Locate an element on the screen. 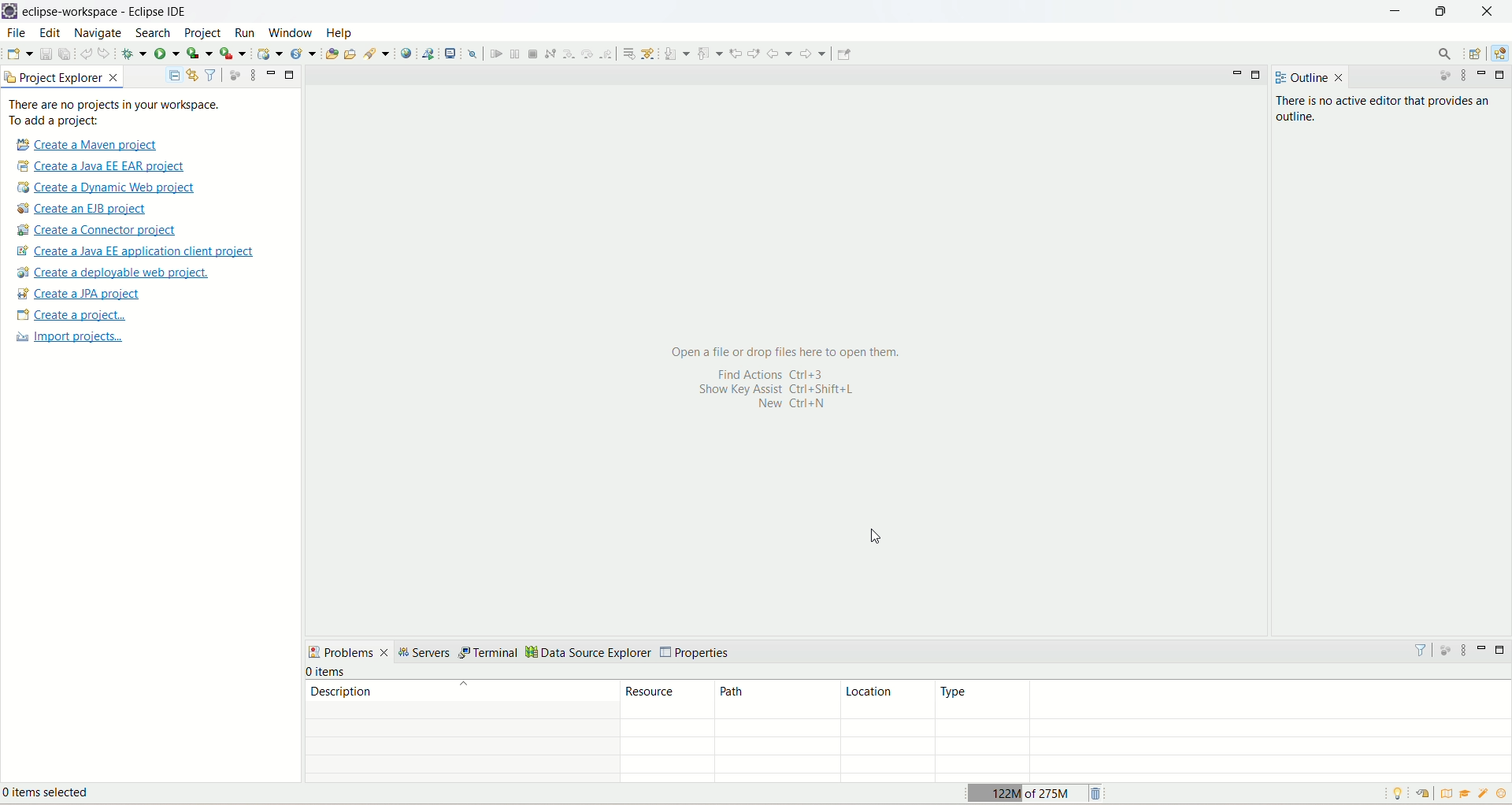  focus on active task is located at coordinates (1439, 77).